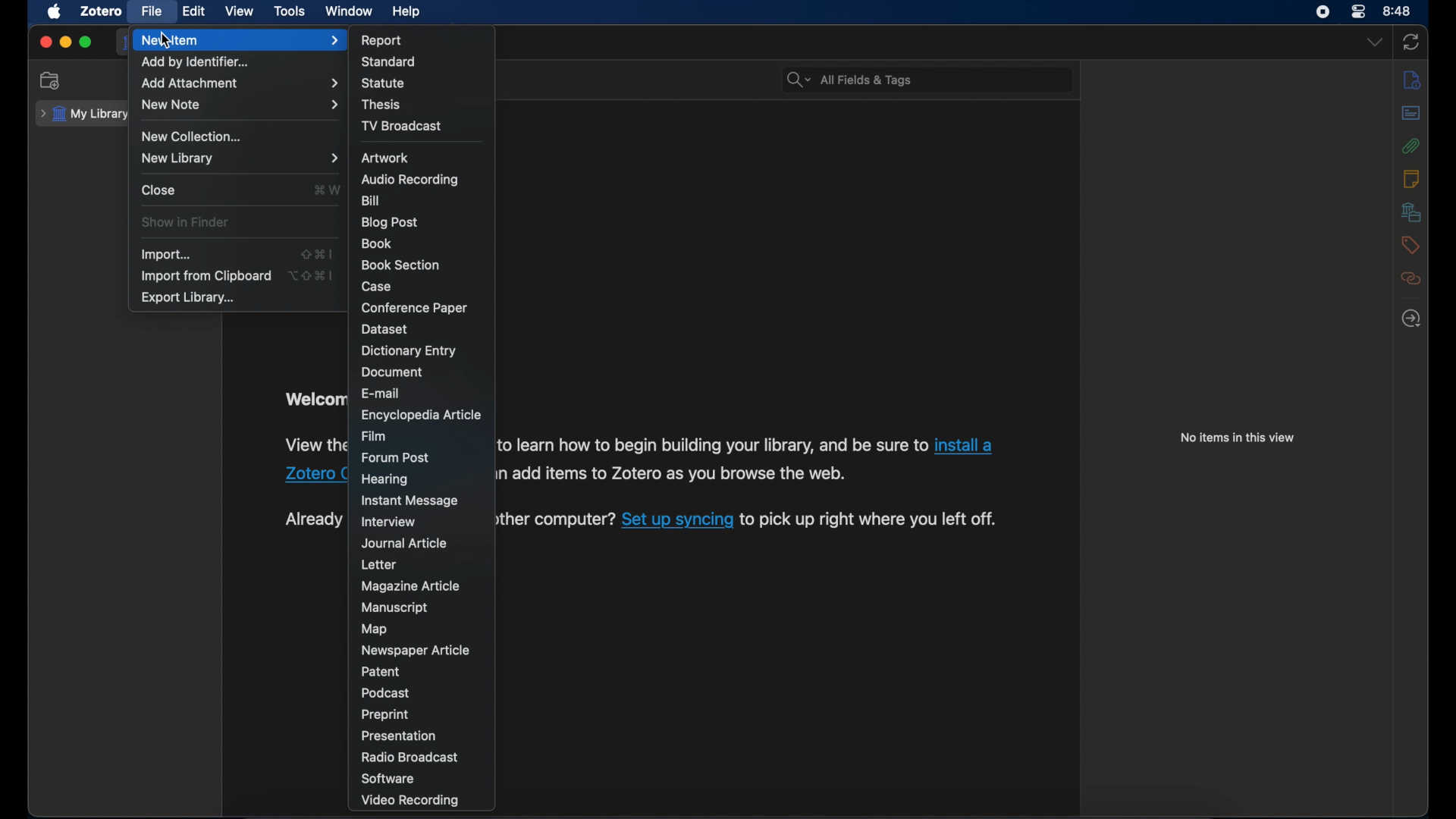  What do you see at coordinates (966, 446) in the screenshot?
I see `Zotero connector link` at bounding box center [966, 446].